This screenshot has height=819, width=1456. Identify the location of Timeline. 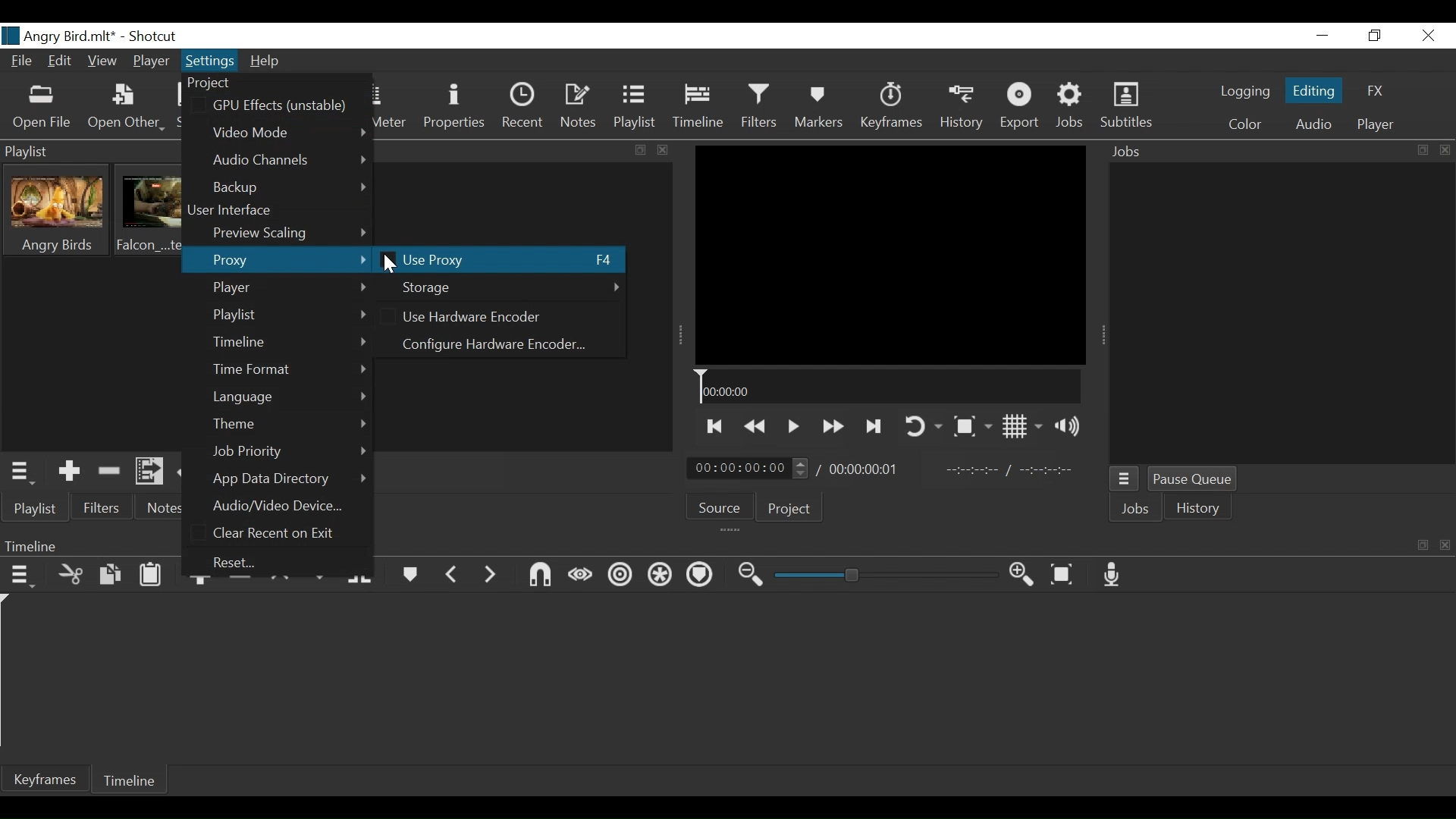
(131, 780).